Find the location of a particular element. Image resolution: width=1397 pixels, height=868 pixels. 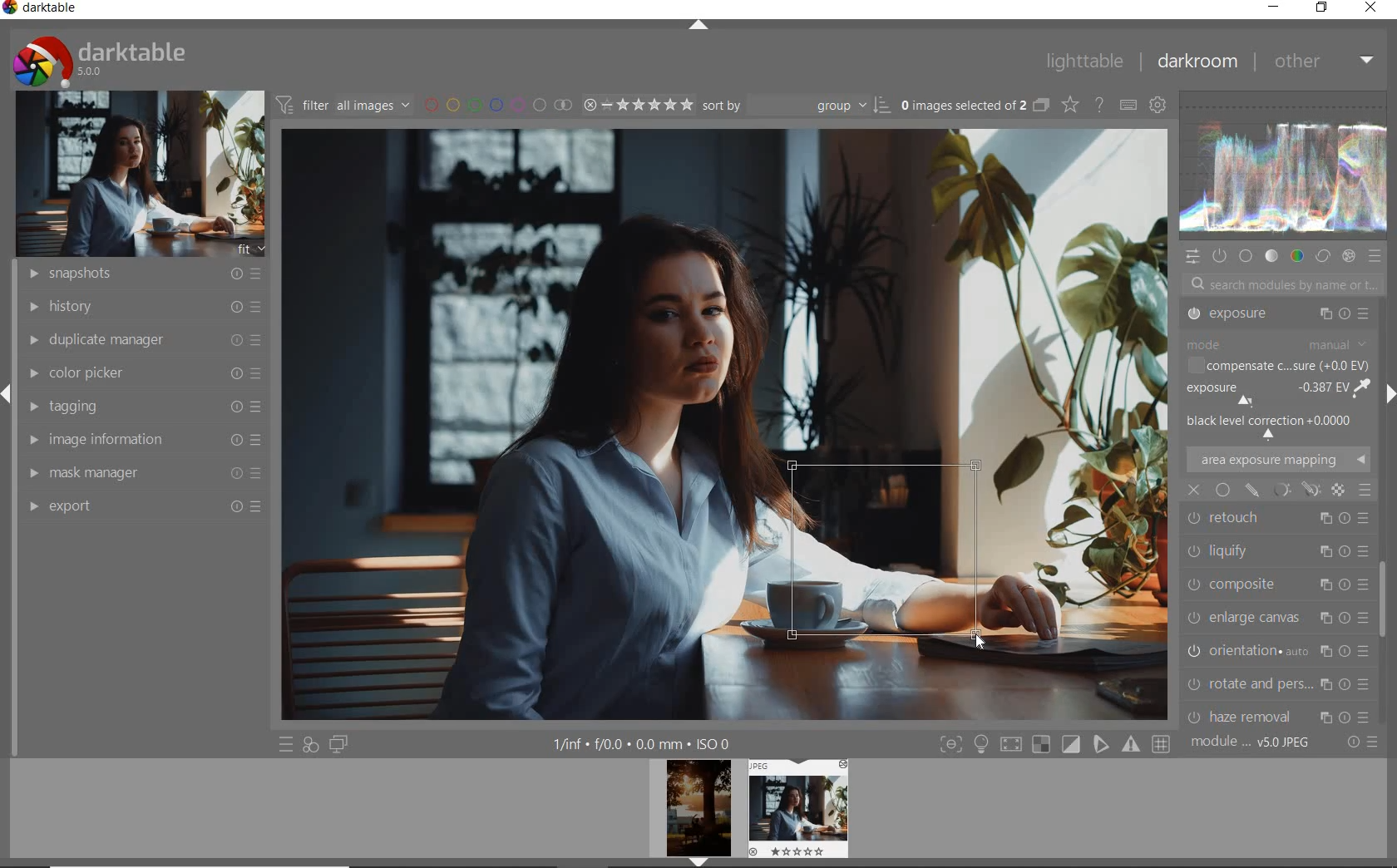

TAGGING is located at coordinates (141, 405).